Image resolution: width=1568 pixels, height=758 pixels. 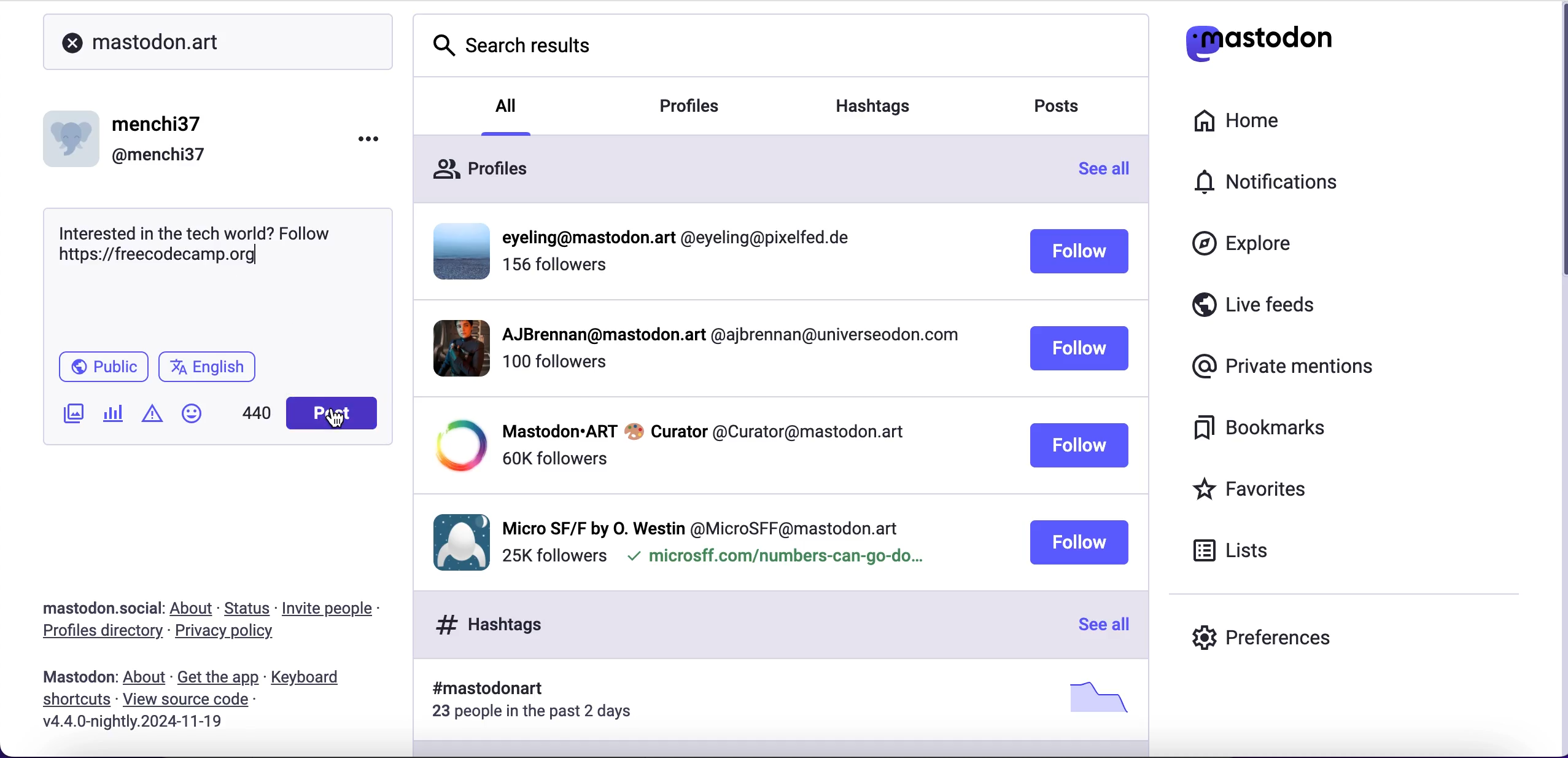 I want to click on keyboard, so click(x=320, y=677).